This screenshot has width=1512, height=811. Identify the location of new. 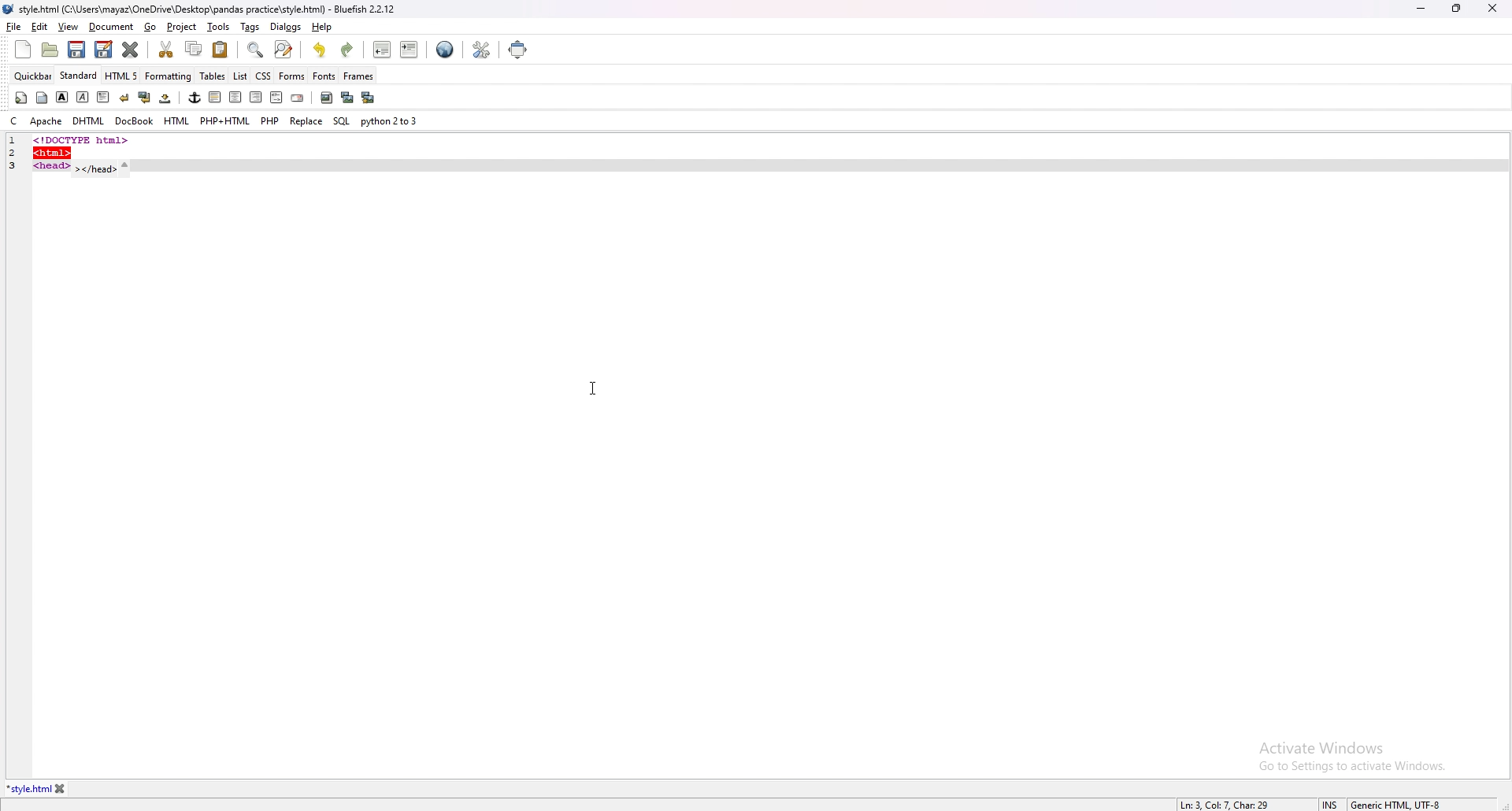
(23, 50).